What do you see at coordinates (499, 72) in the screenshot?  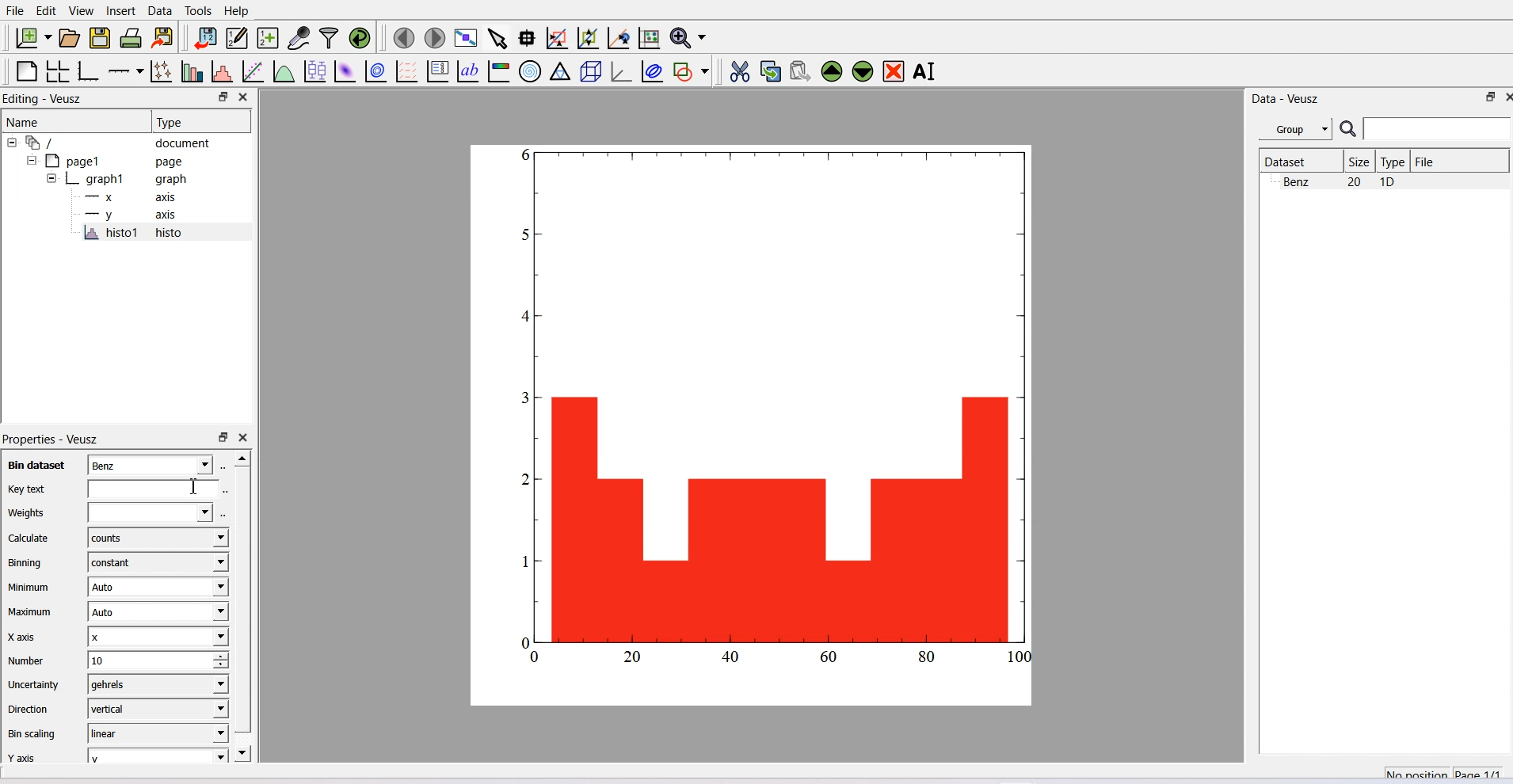 I see `Image Color bar` at bounding box center [499, 72].